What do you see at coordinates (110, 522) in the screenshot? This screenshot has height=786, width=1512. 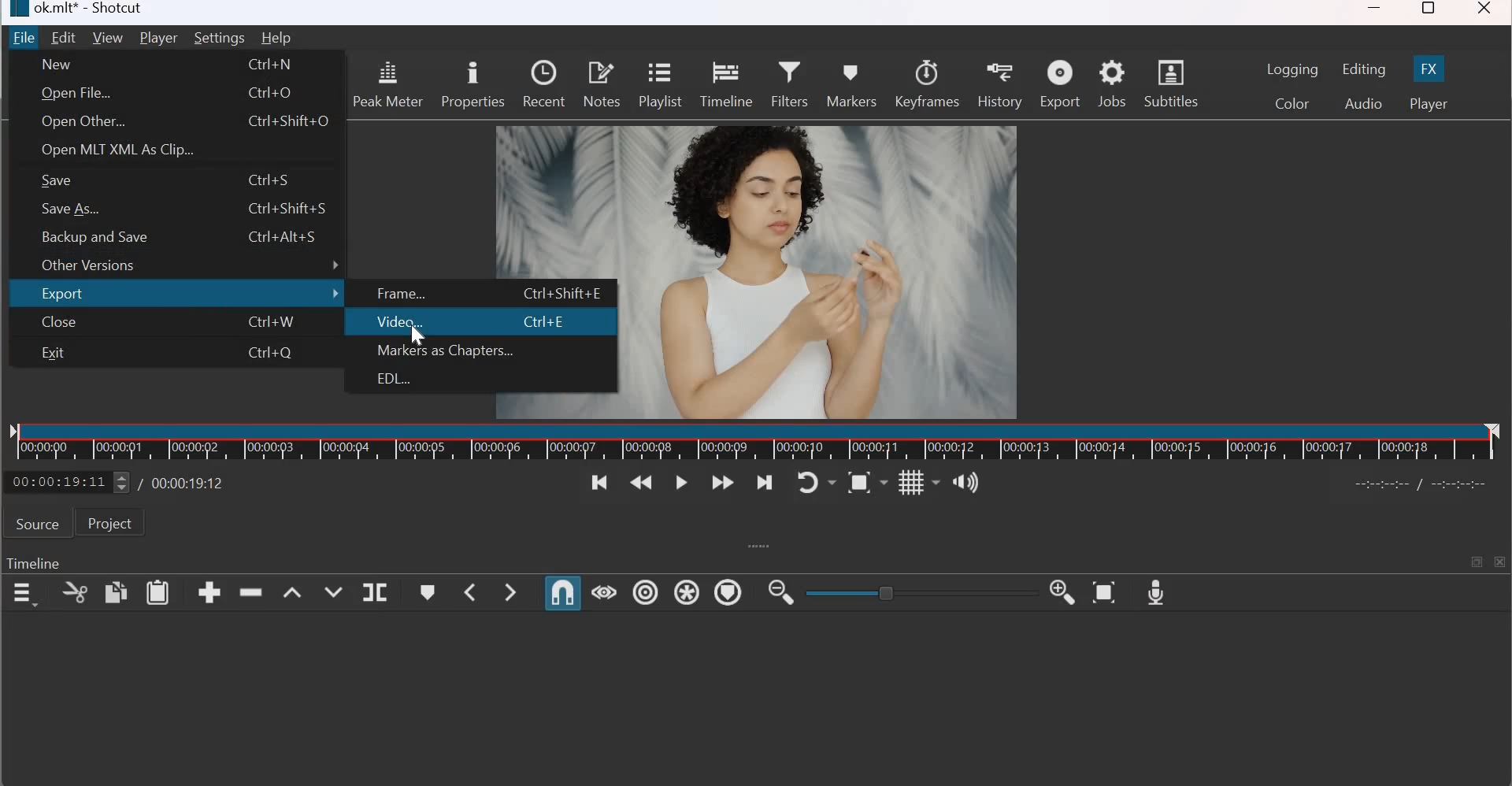 I see `Project` at bounding box center [110, 522].